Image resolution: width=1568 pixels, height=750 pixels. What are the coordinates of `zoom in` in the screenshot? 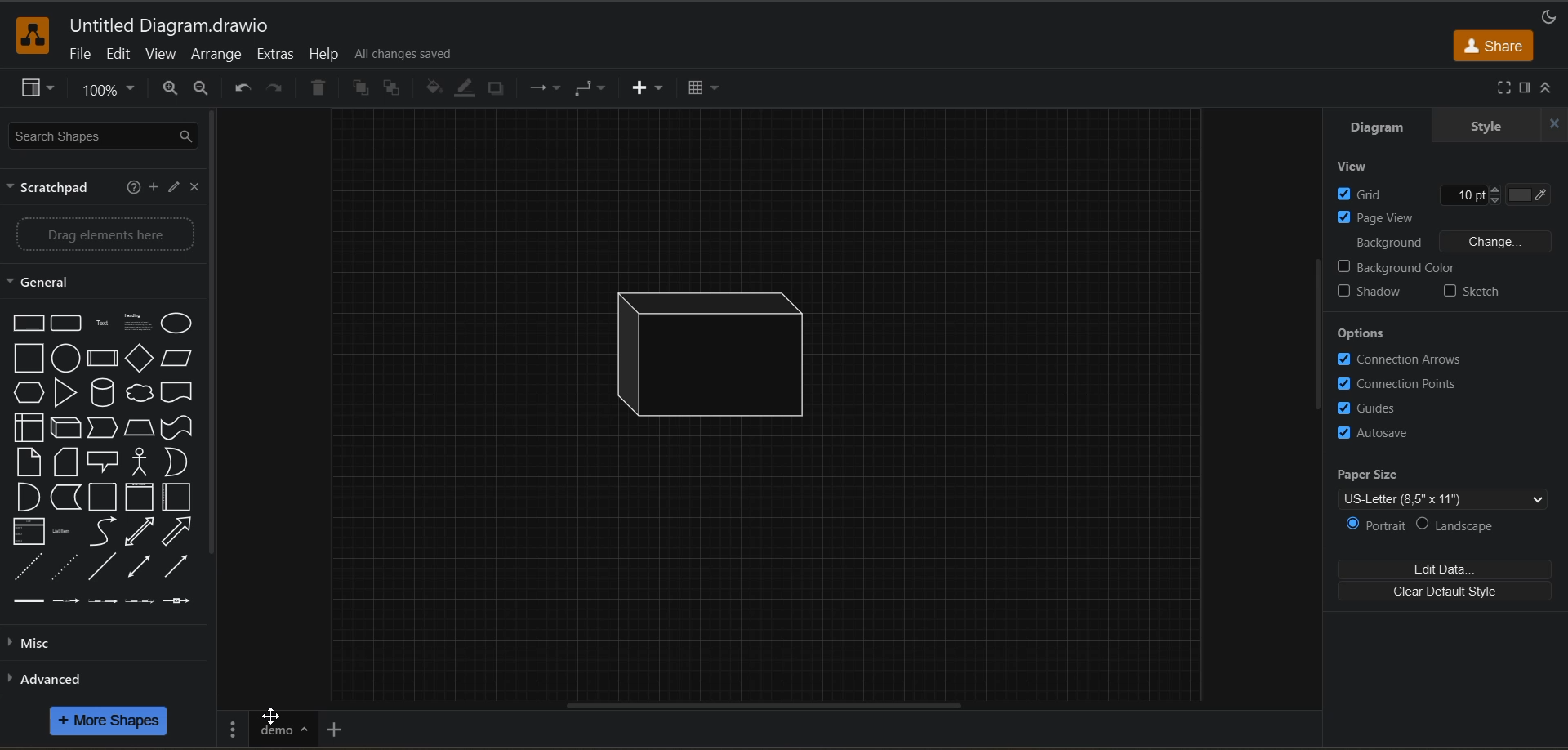 It's located at (199, 88).